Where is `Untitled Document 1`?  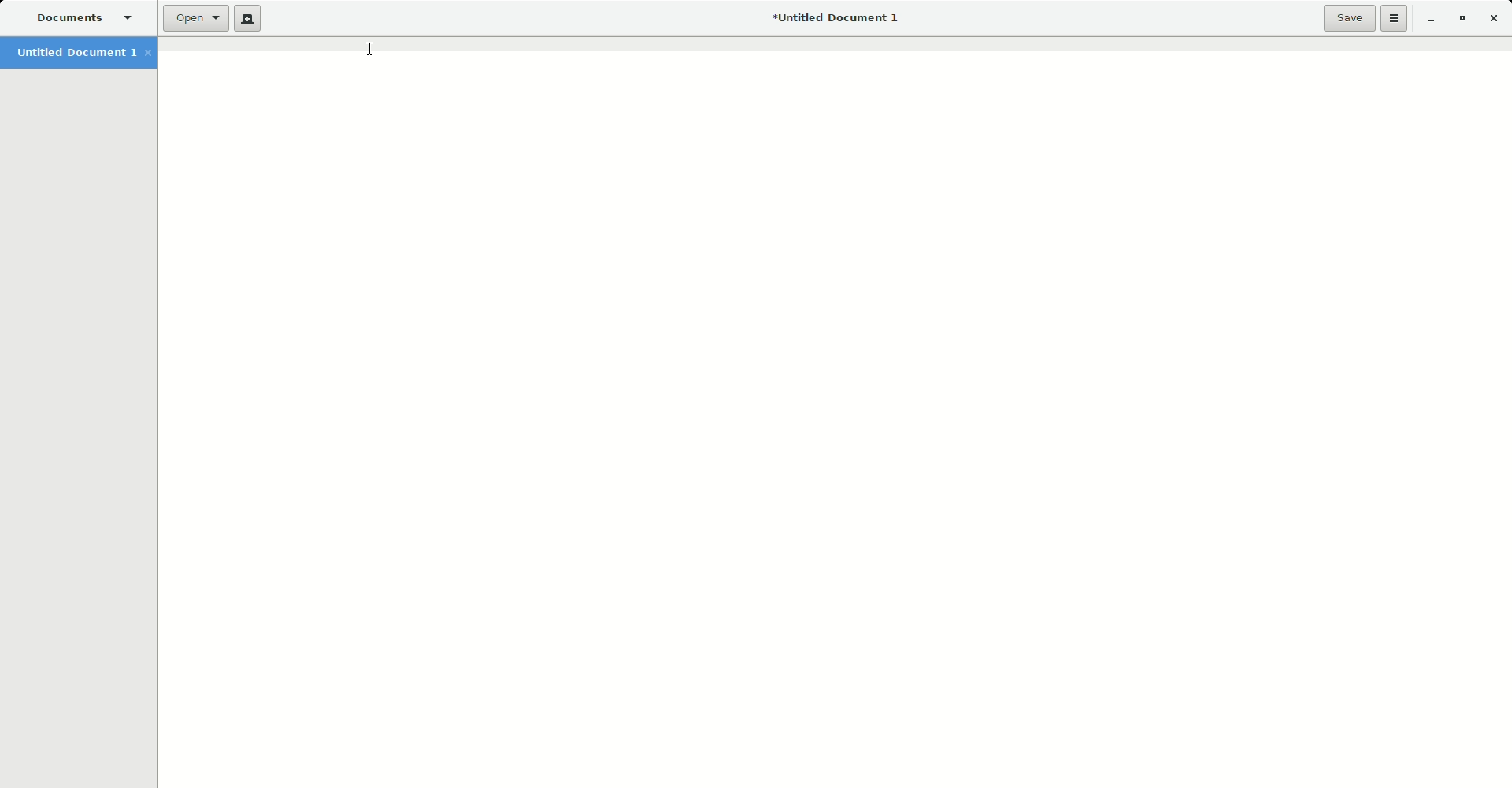
Untitled Document 1 is located at coordinates (841, 17).